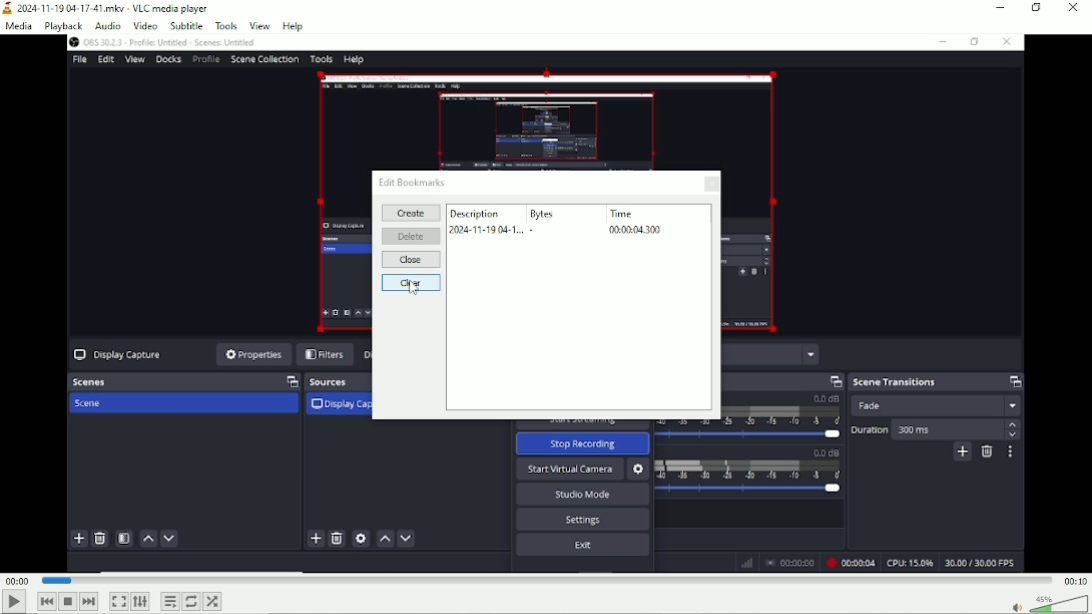  Describe the element at coordinates (119, 602) in the screenshot. I see `Toggle video in fullscreen` at that location.